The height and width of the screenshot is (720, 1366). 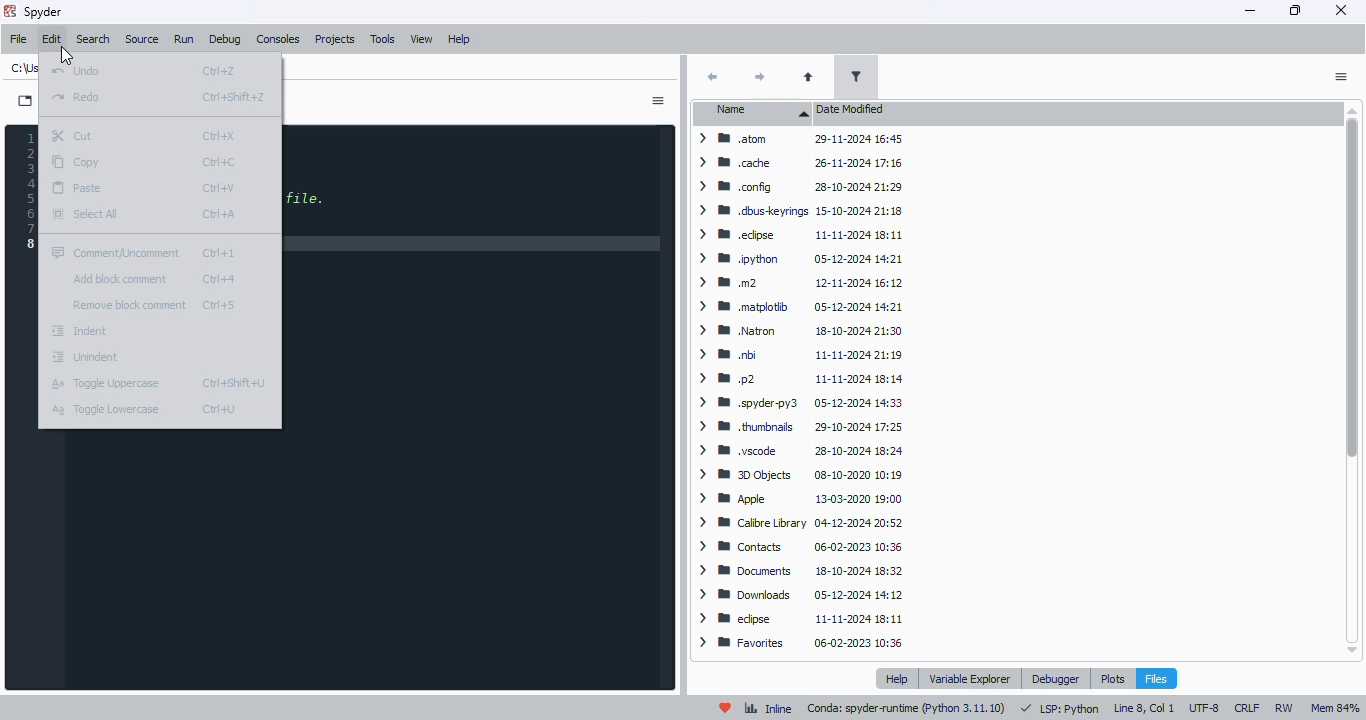 I want to click on comment/uncomment, so click(x=114, y=252).